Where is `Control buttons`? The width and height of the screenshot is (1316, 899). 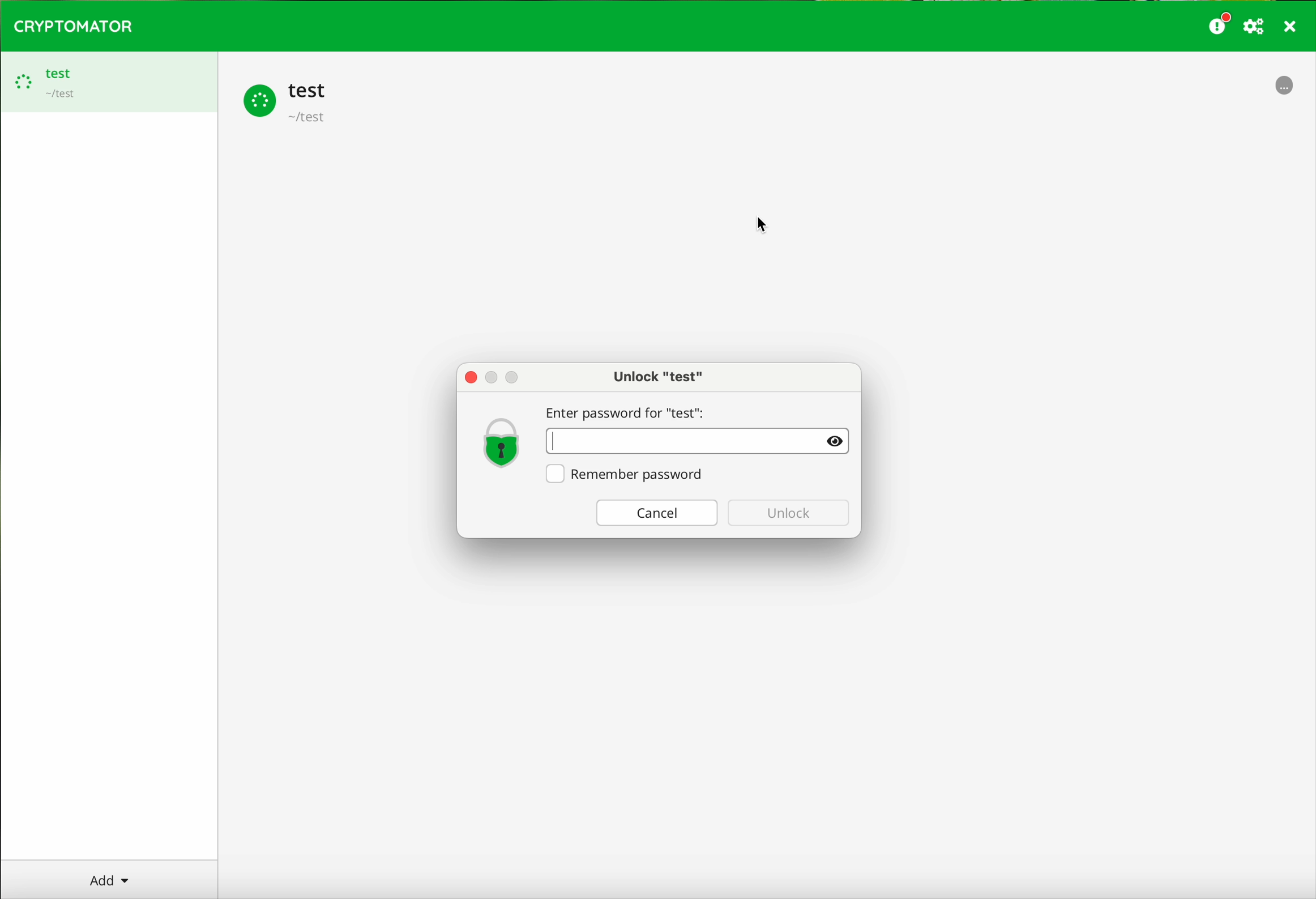 Control buttons is located at coordinates (496, 376).